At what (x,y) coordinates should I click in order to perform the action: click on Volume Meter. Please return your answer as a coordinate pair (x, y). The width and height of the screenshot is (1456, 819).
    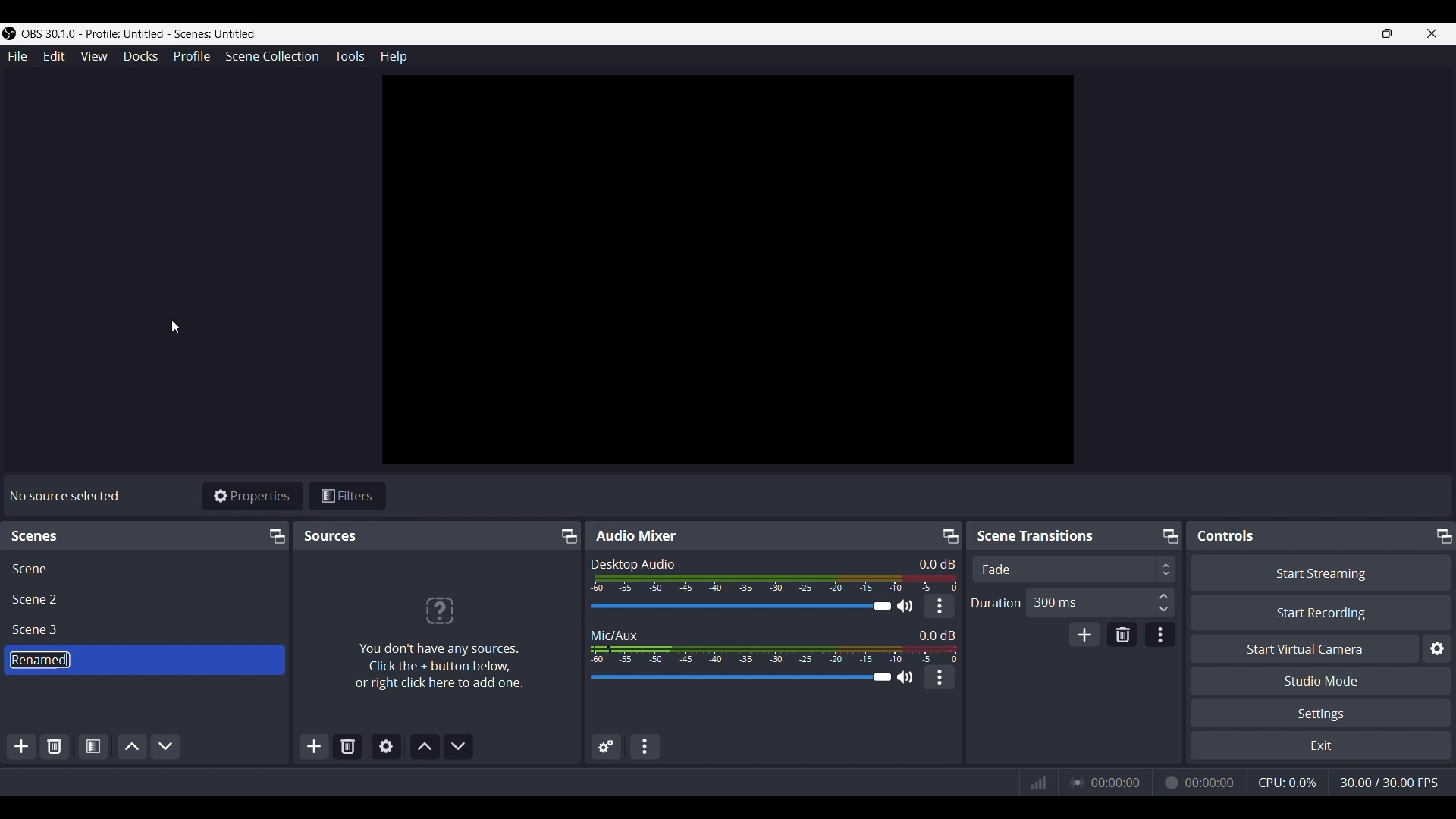
    Looking at the image, I should click on (777, 583).